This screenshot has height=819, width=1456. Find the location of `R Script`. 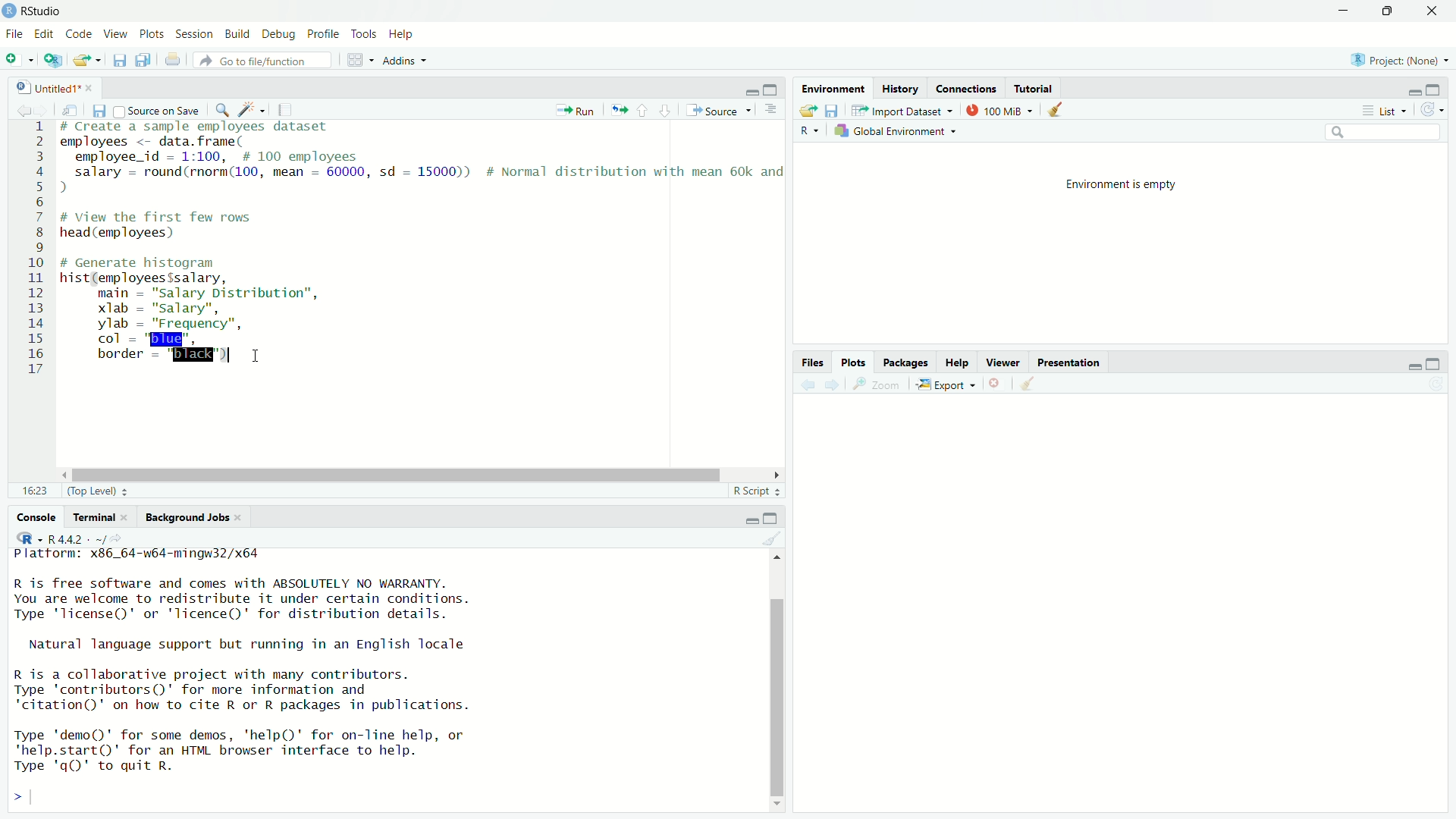

R Script is located at coordinates (758, 491).